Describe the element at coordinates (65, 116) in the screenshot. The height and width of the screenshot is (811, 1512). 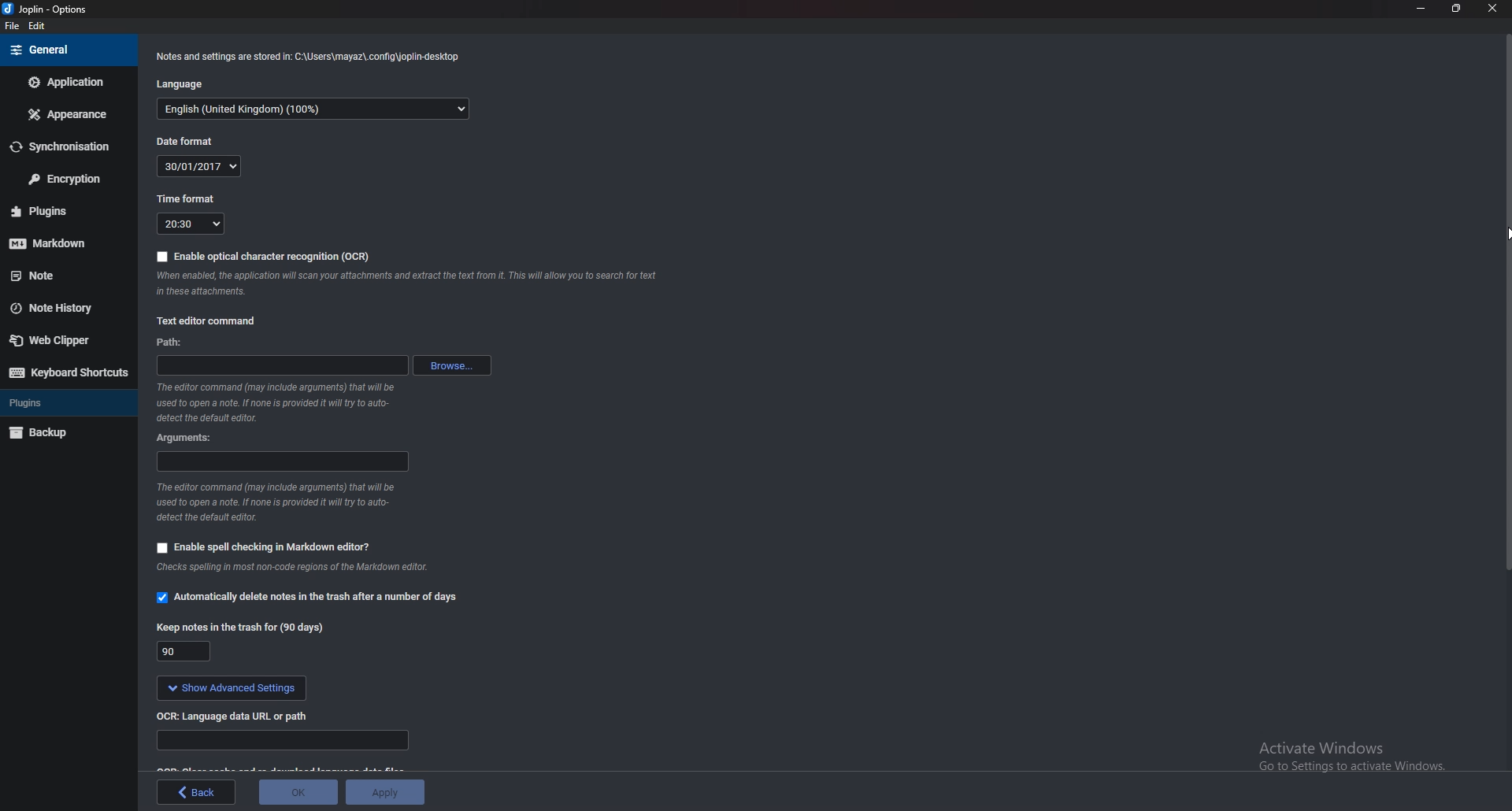
I see `Appearance` at that location.